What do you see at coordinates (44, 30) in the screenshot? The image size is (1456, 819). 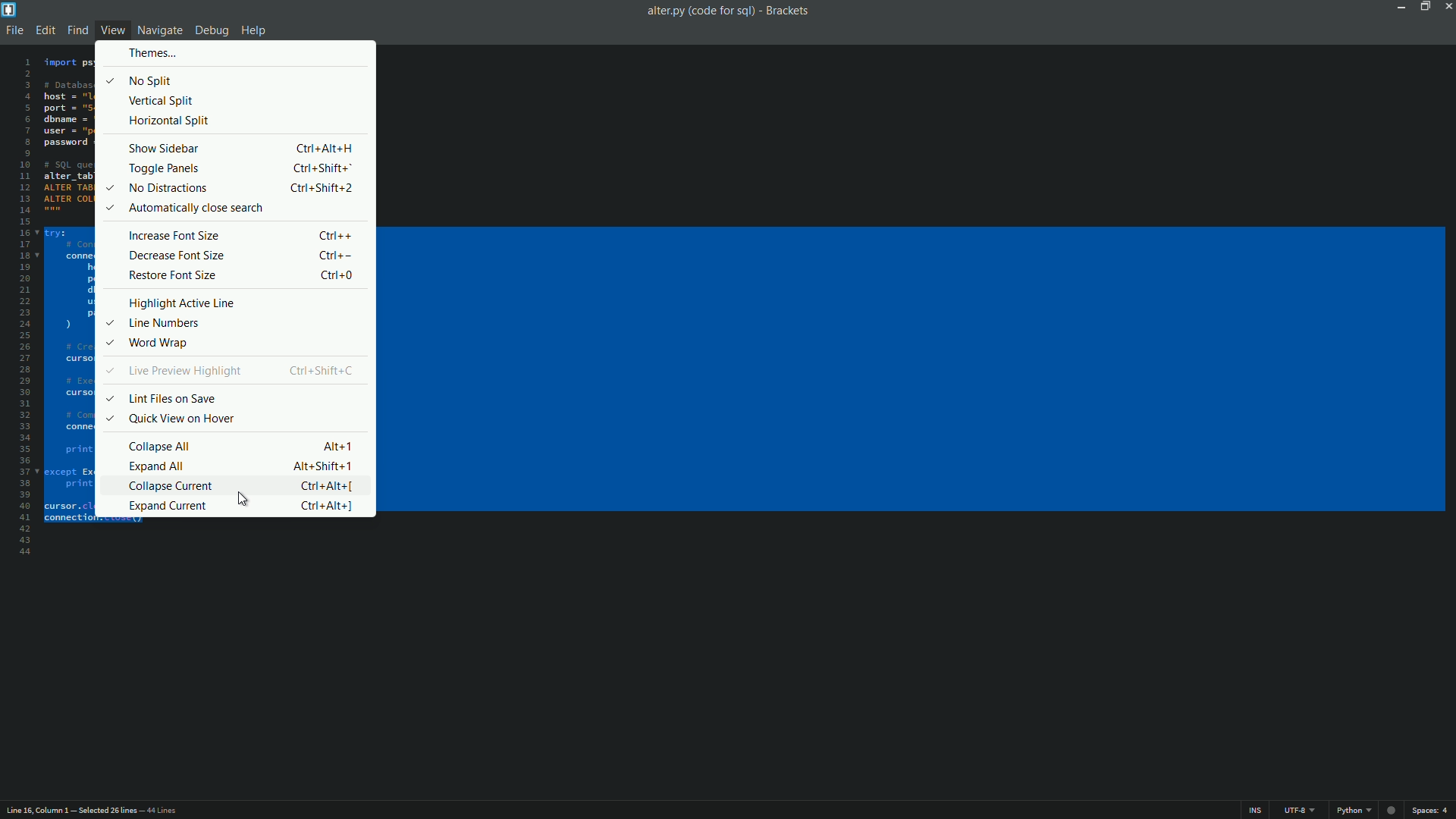 I see `edit menu` at bounding box center [44, 30].